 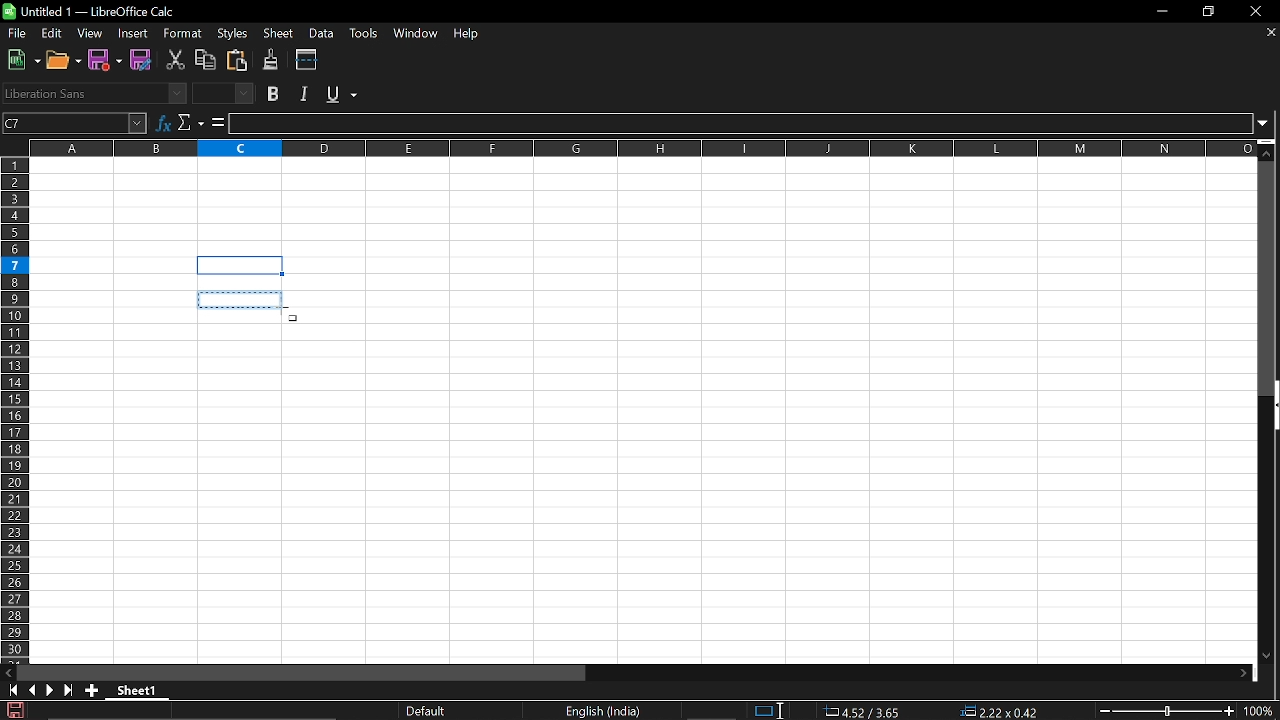 What do you see at coordinates (642, 146) in the screenshot?
I see `Columns` at bounding box center [642, 146].